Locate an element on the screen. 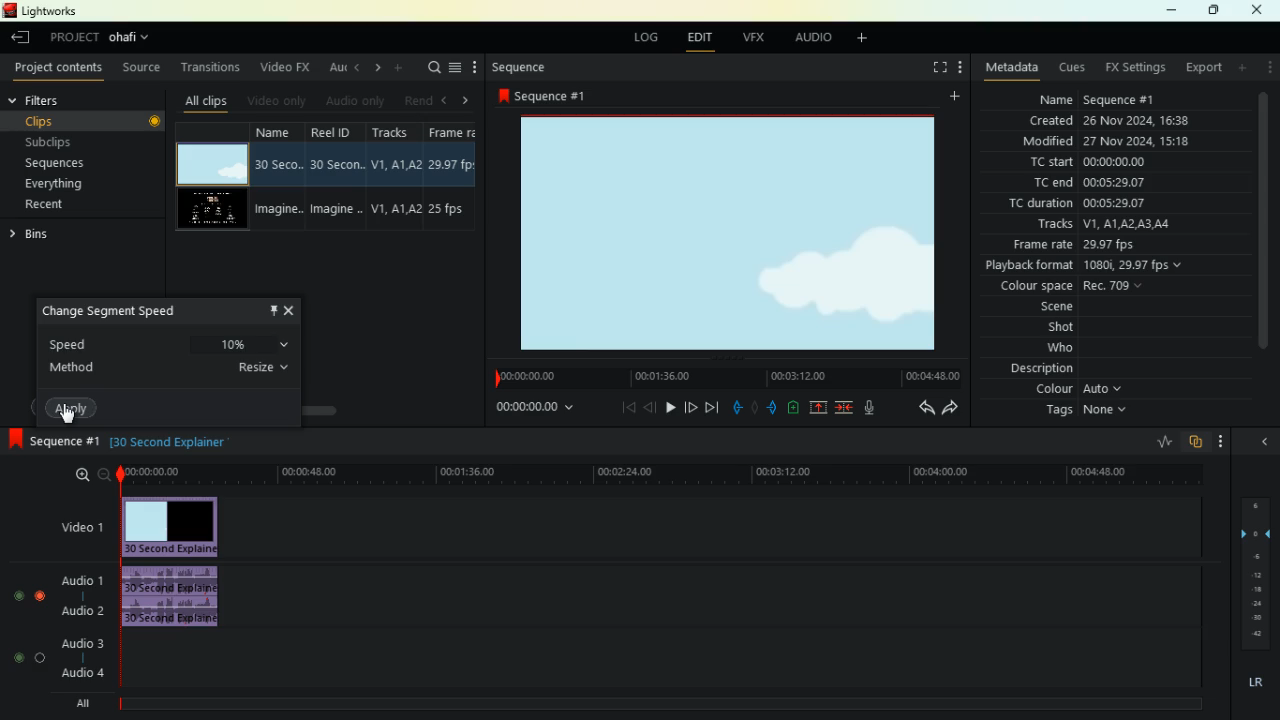 This screenshot has height=720, width=1280. name is located at coordinates (1092, 99).